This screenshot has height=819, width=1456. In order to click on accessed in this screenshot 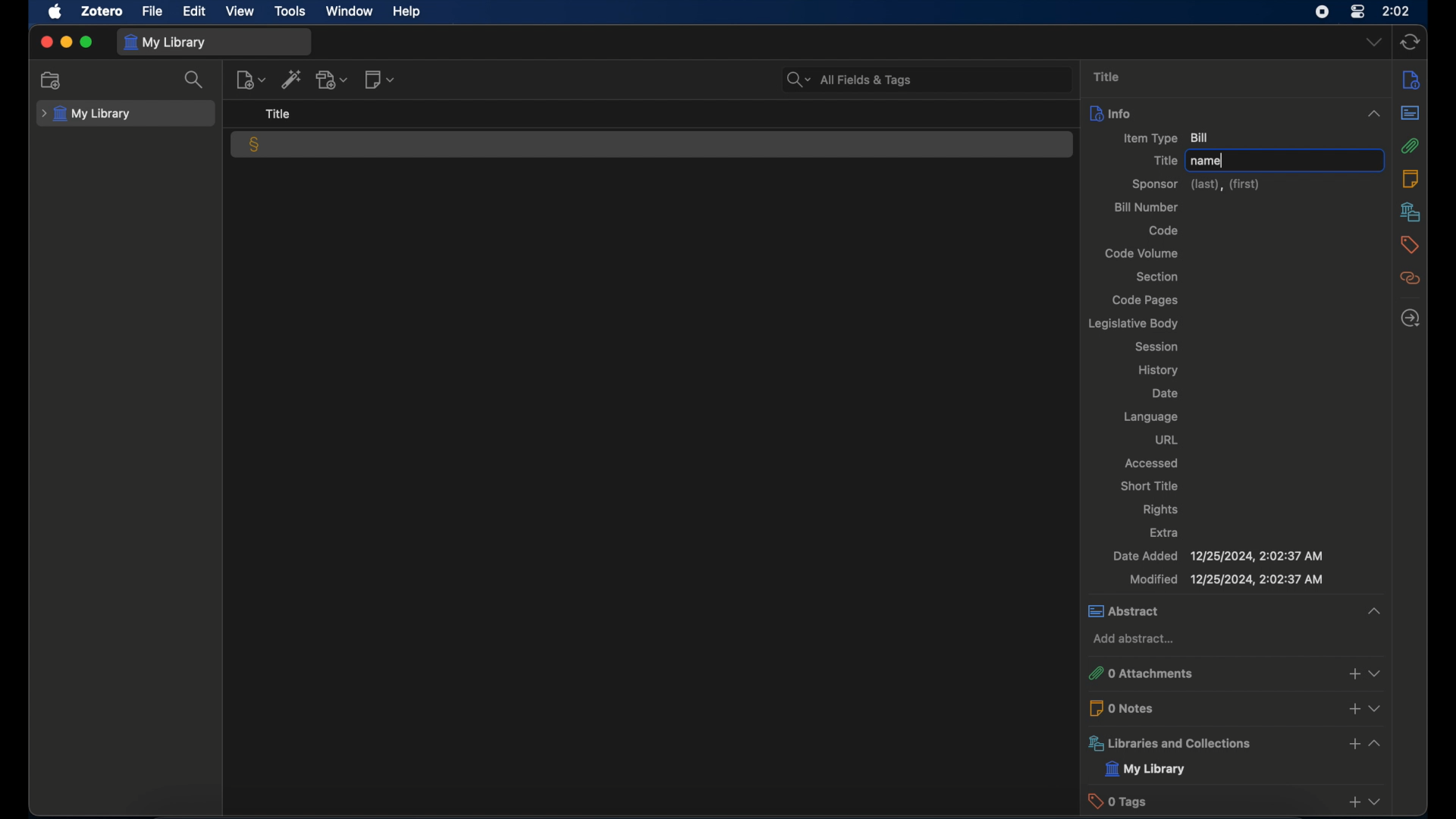, I will do `click(1150, 463)`.